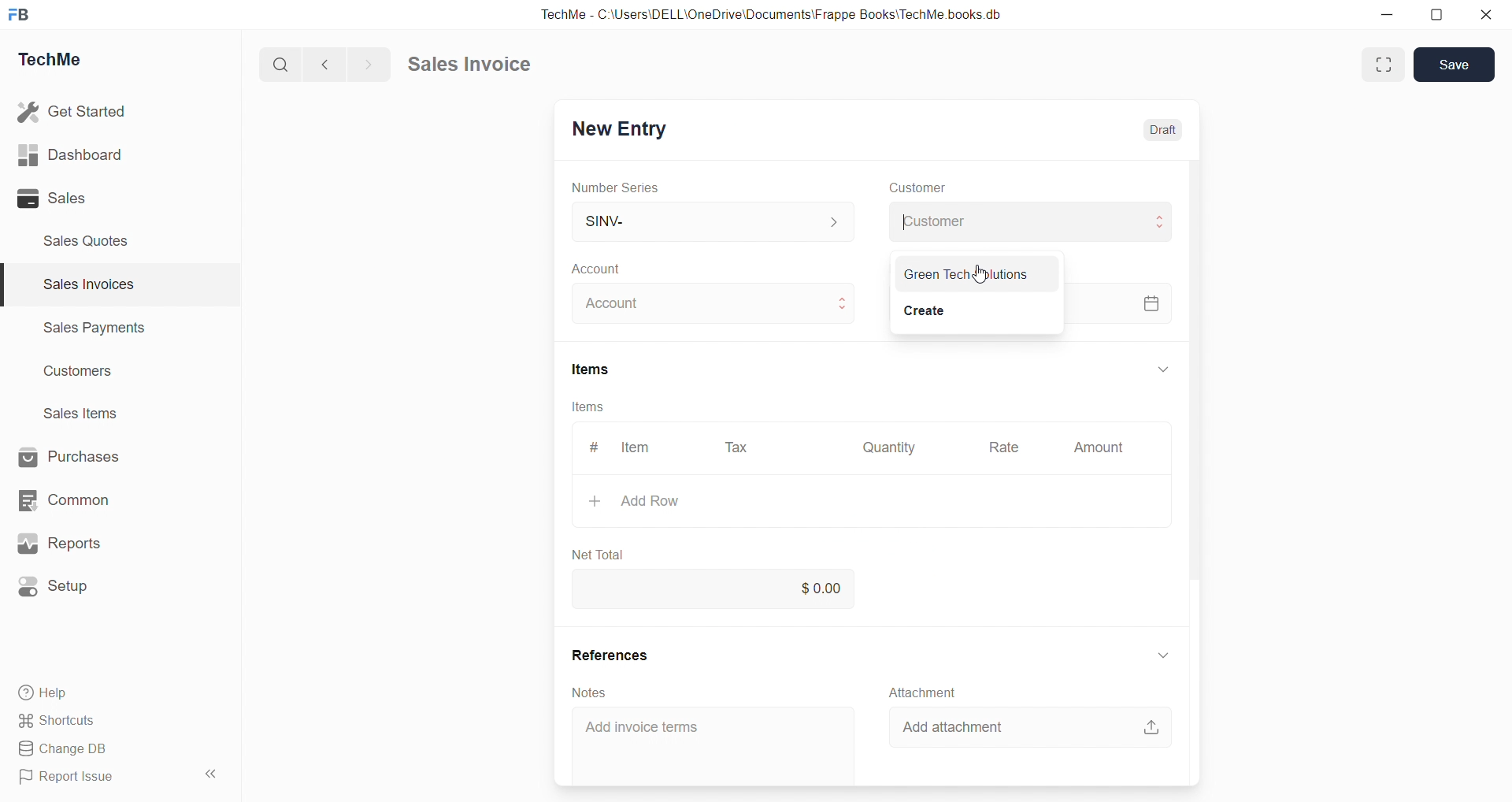  Describe the element at coordinates (59, 721) in the screenshot. I see `Shortcuts` at that location.